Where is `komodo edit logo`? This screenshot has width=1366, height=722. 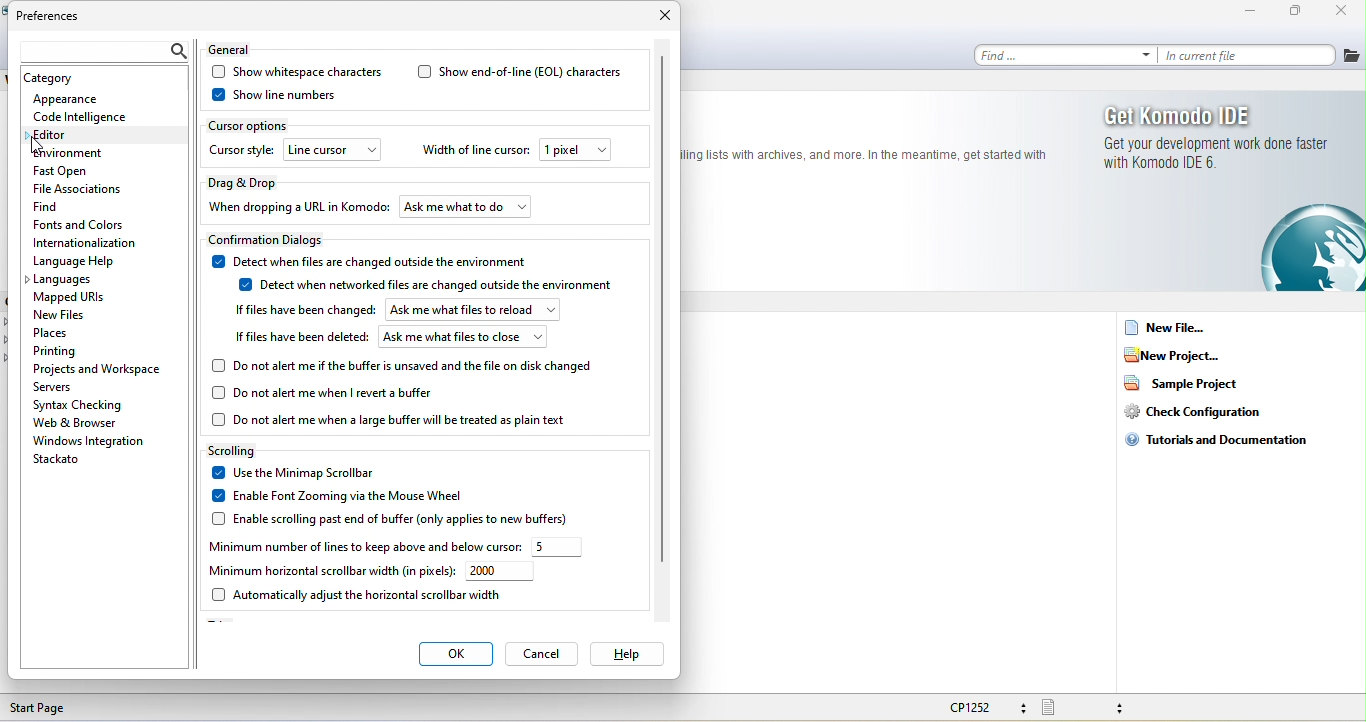
komodo edit logo is located at coordinates (1311, 247).